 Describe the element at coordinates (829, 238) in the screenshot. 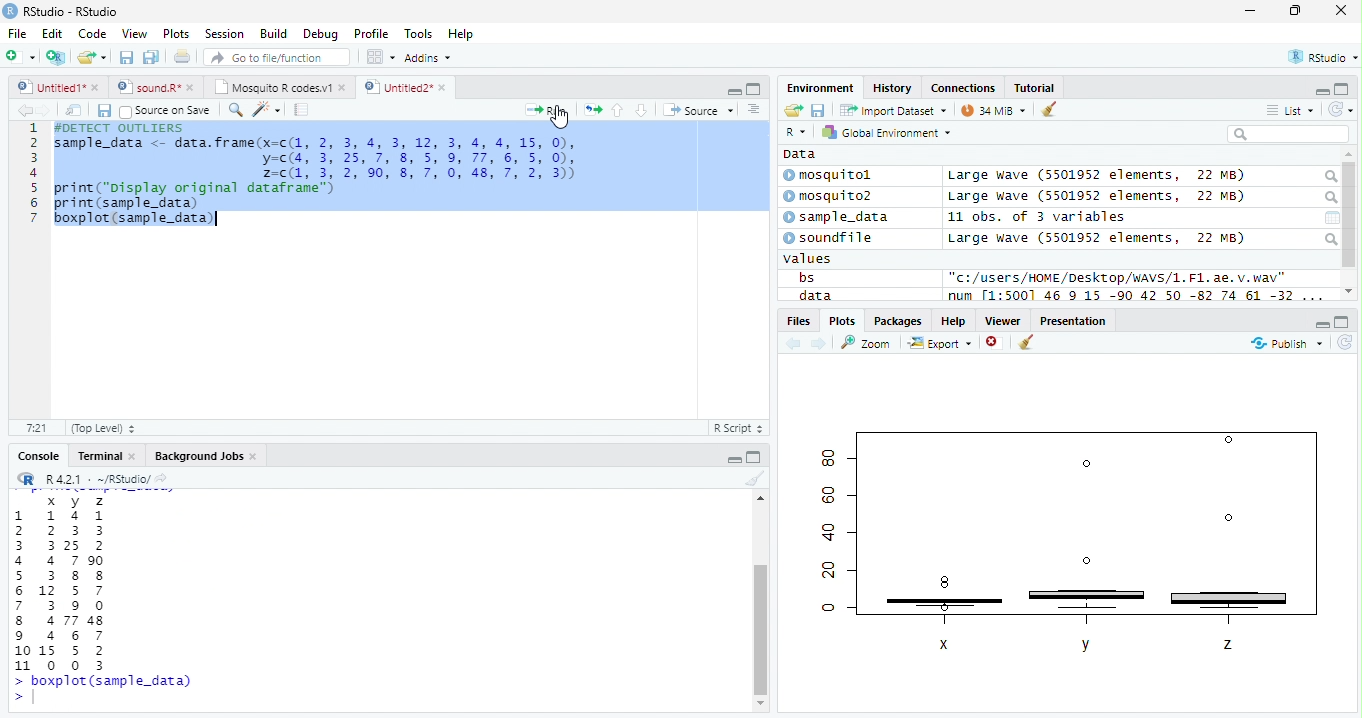

I see `soundfile` at that location.